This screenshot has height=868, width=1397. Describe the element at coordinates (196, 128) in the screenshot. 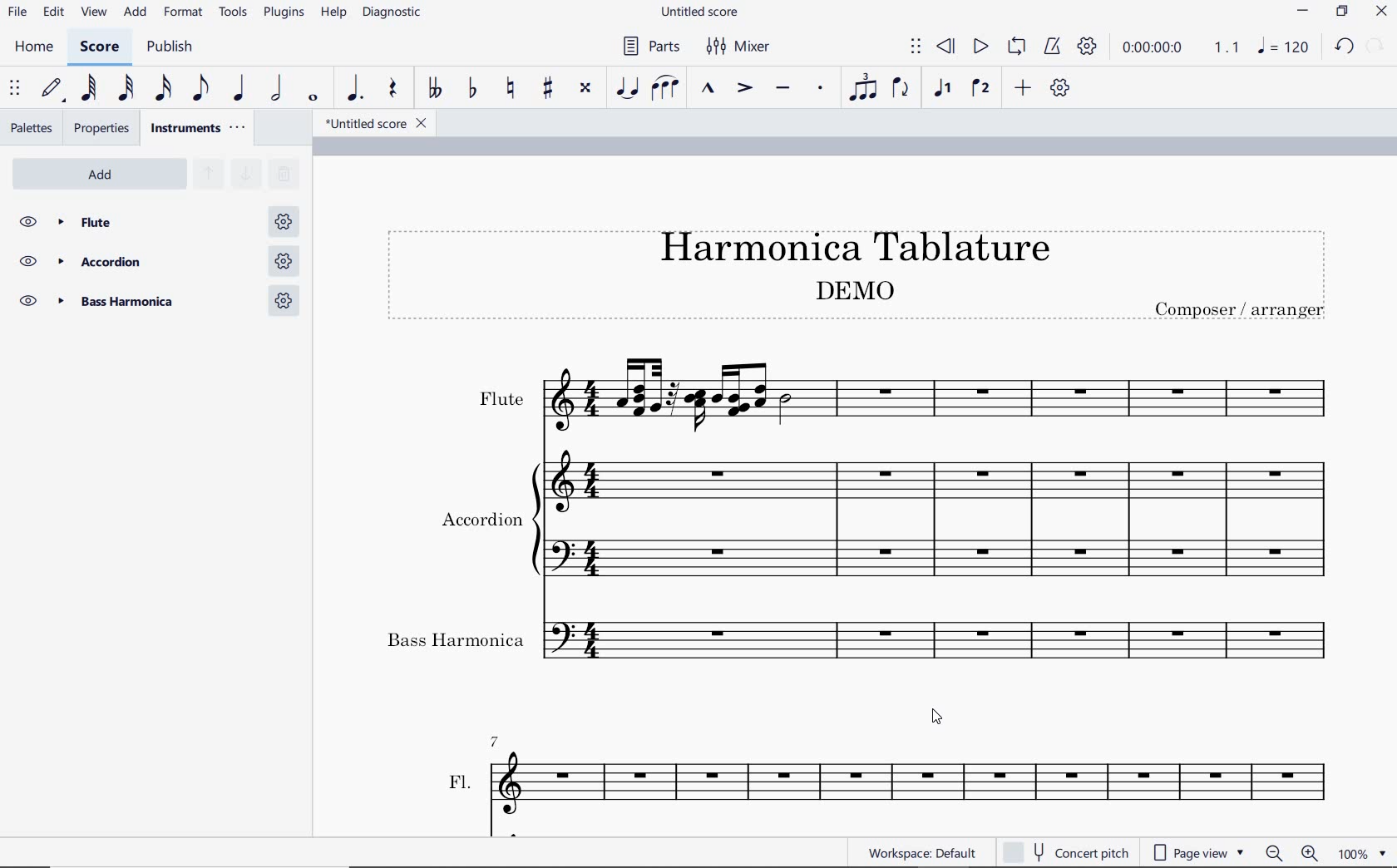

I see `instruments` at that location.